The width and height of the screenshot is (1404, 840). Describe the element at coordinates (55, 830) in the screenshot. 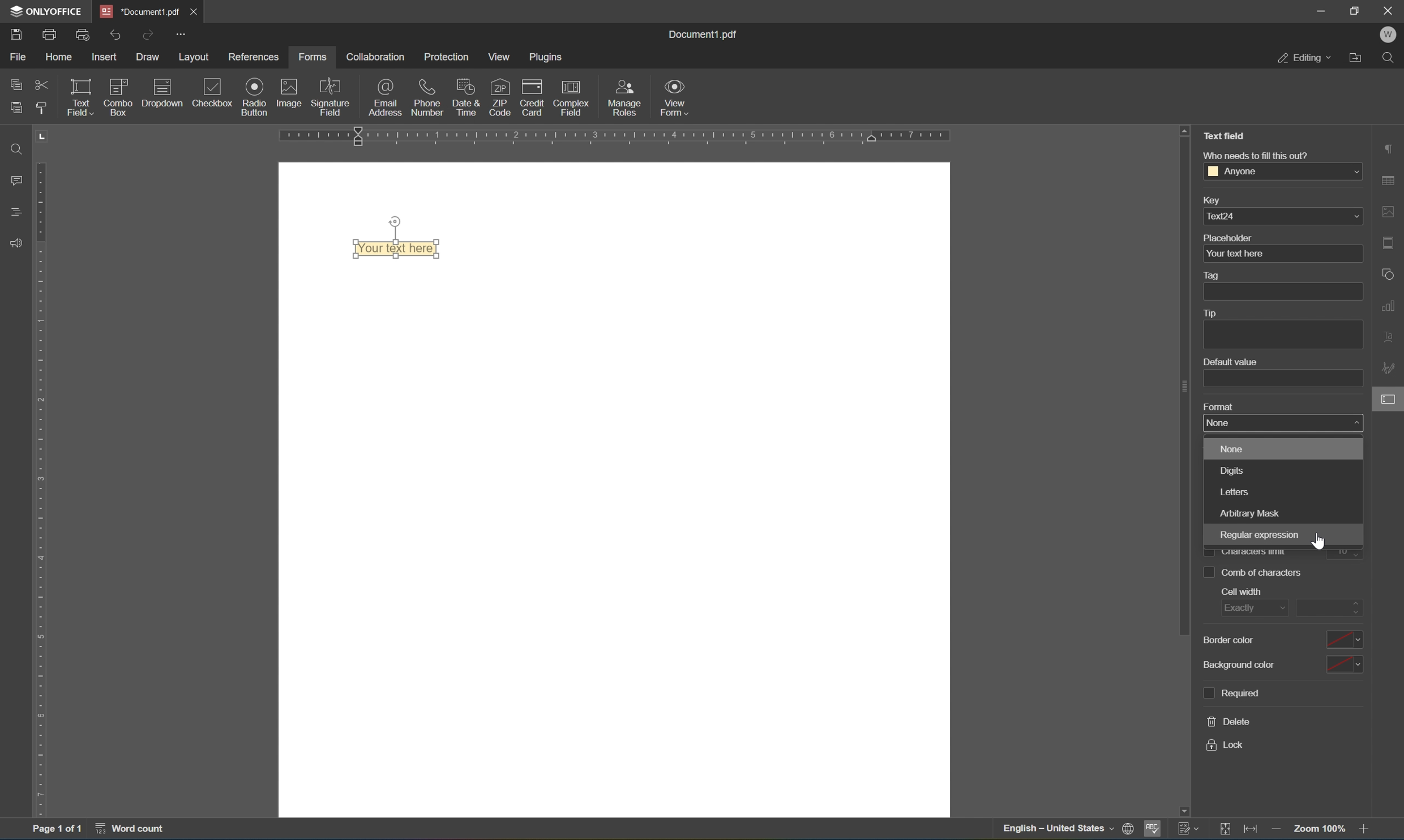

I see `page 1 of 1` at that location.